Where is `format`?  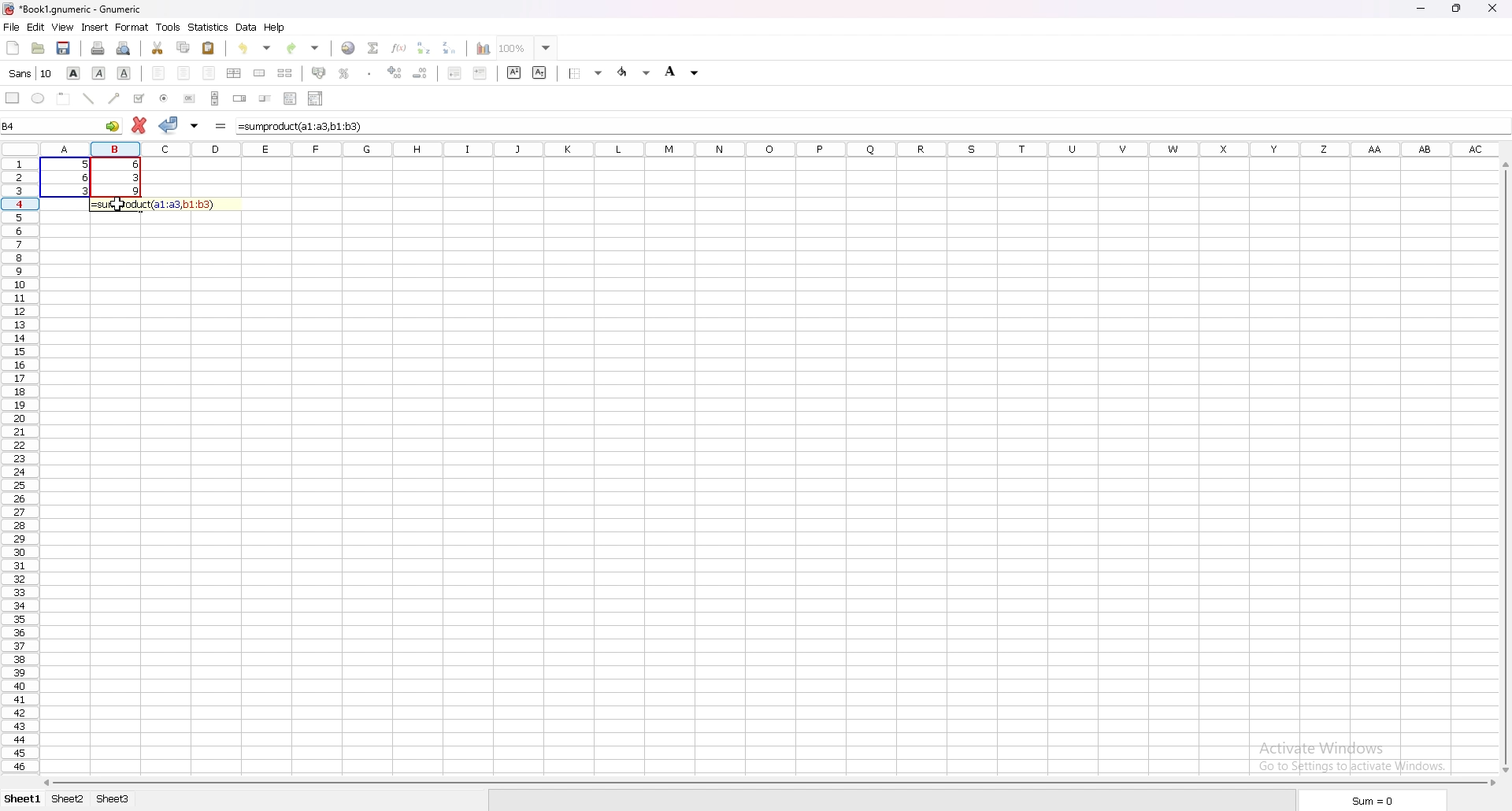
format is located at coordinates (132, 27).